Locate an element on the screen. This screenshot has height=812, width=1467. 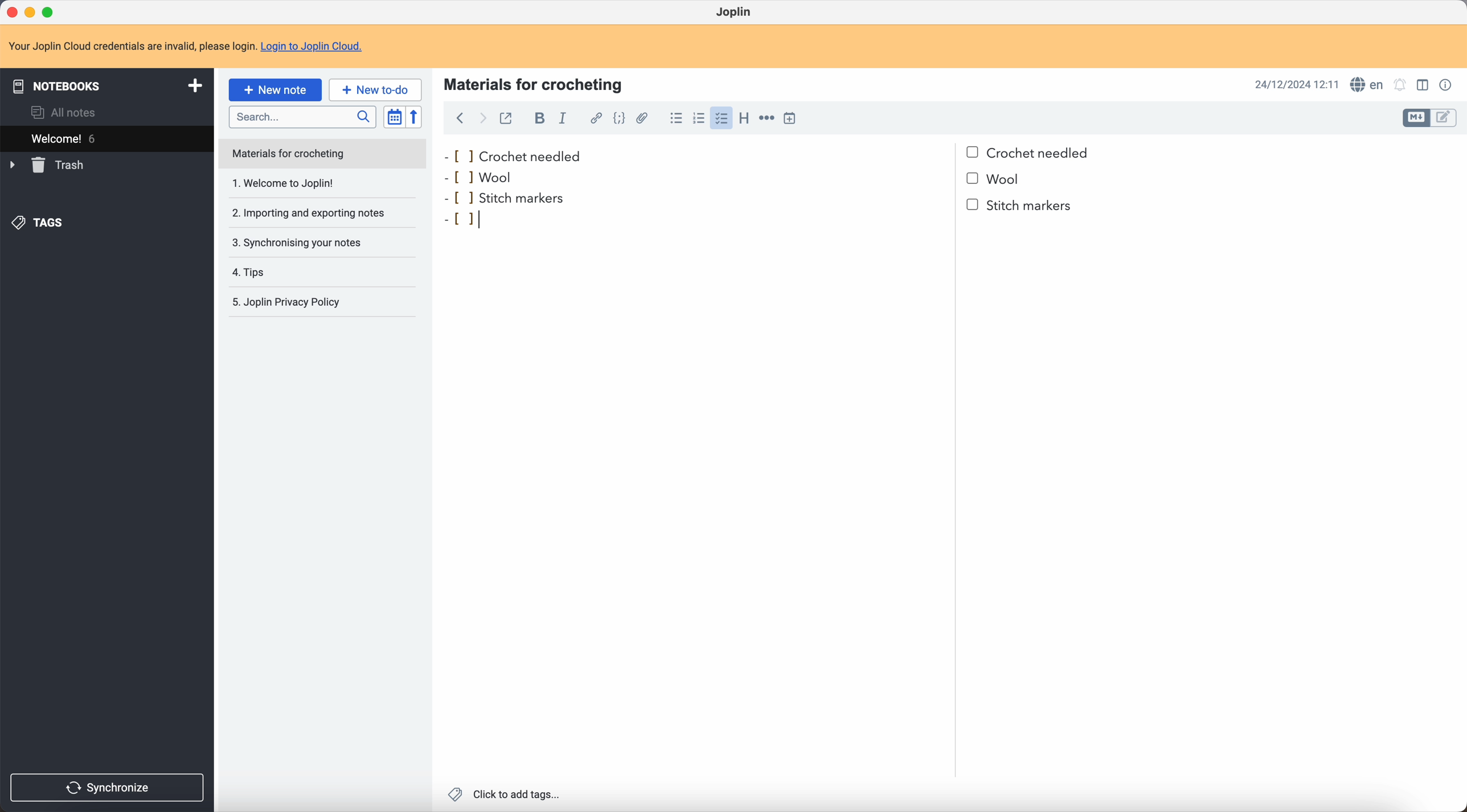
hyperlink is located at coordinates (593, 118).